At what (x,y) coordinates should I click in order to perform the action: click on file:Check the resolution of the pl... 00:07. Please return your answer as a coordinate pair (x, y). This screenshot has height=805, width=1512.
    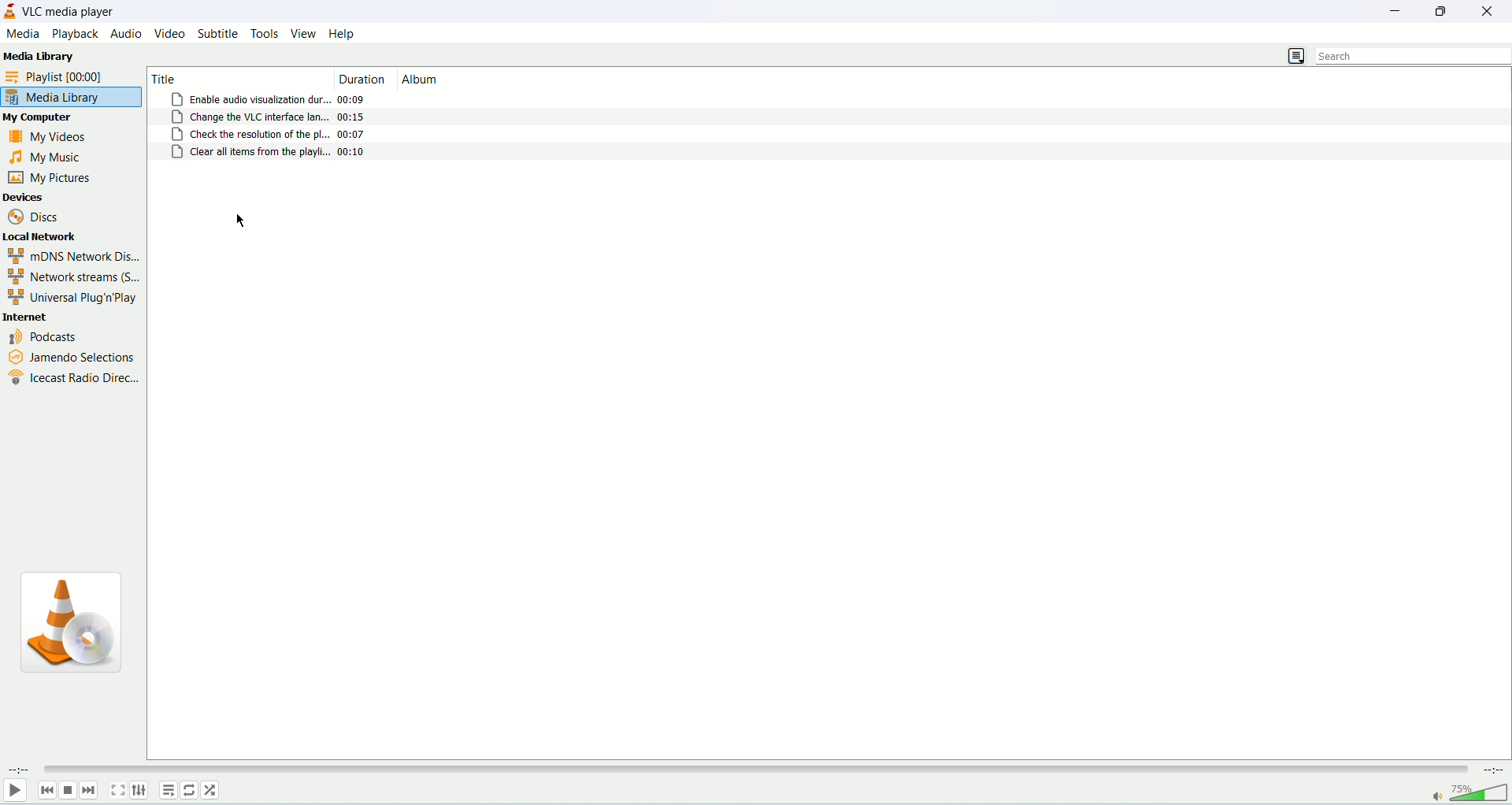
    Looking at the image, I should click on (271, 134).